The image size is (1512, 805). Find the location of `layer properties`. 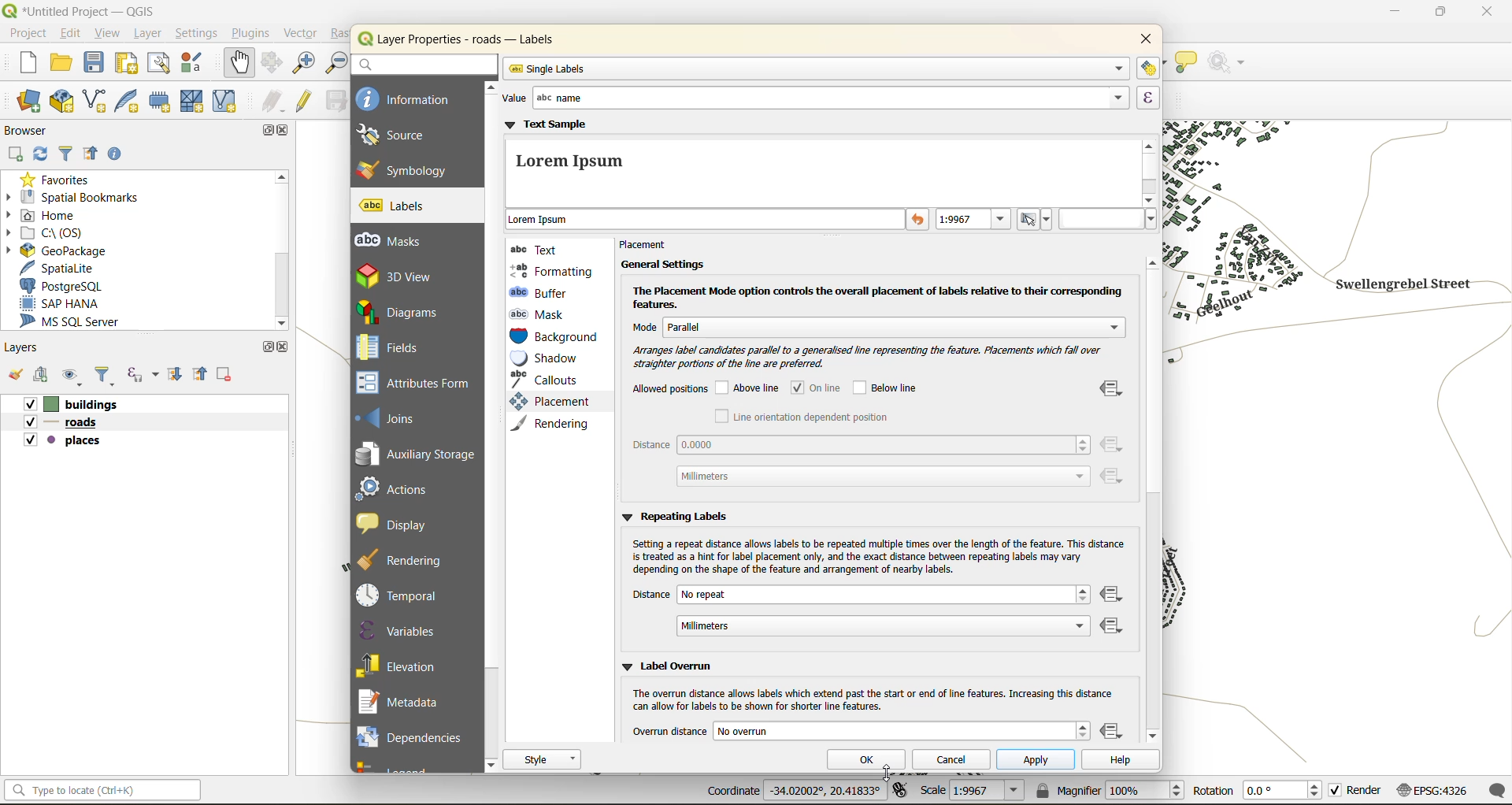

layer properties is located at coordinates (472, 39).